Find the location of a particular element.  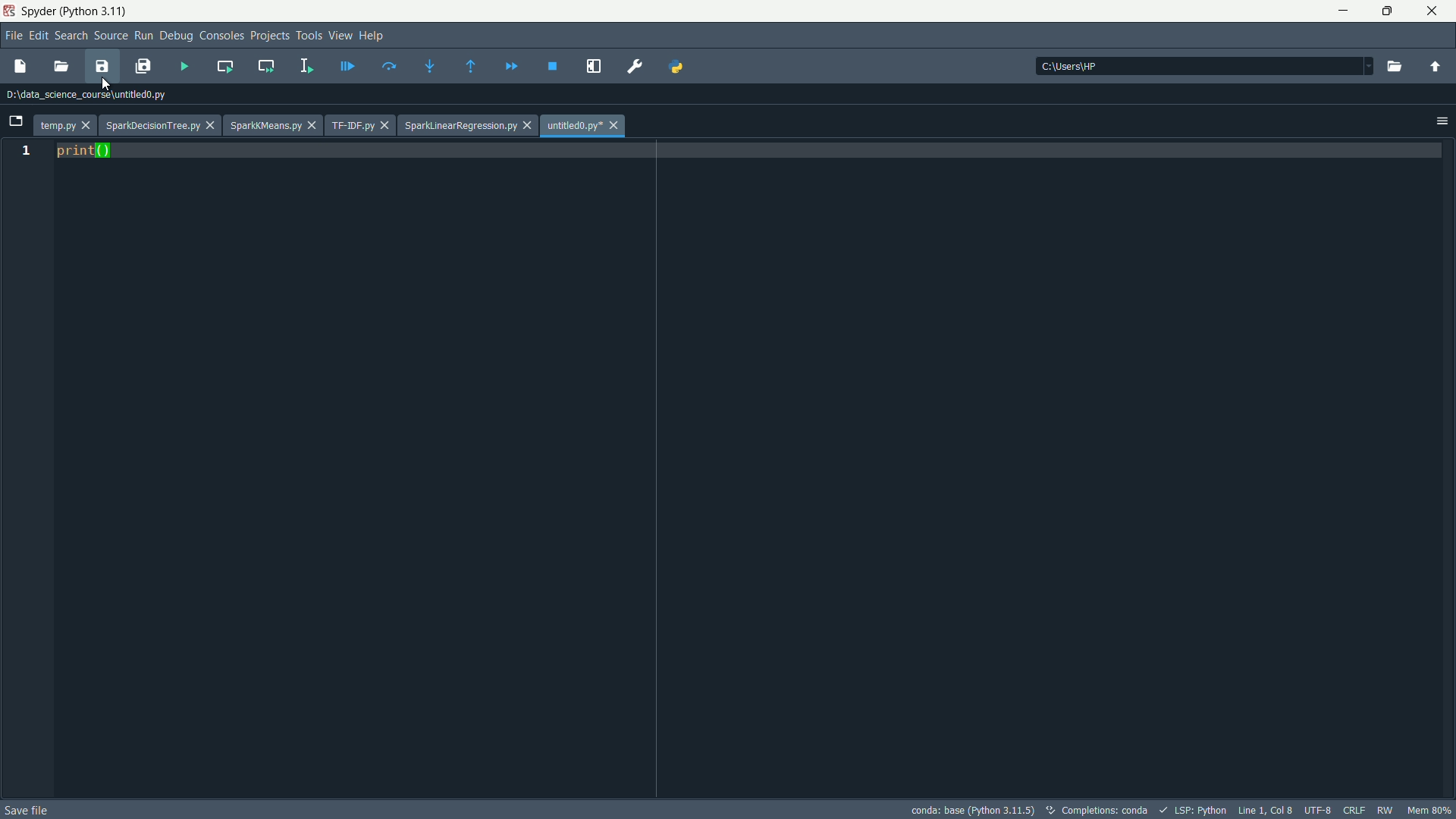

file permissions is located at coordinates (1352, 810).